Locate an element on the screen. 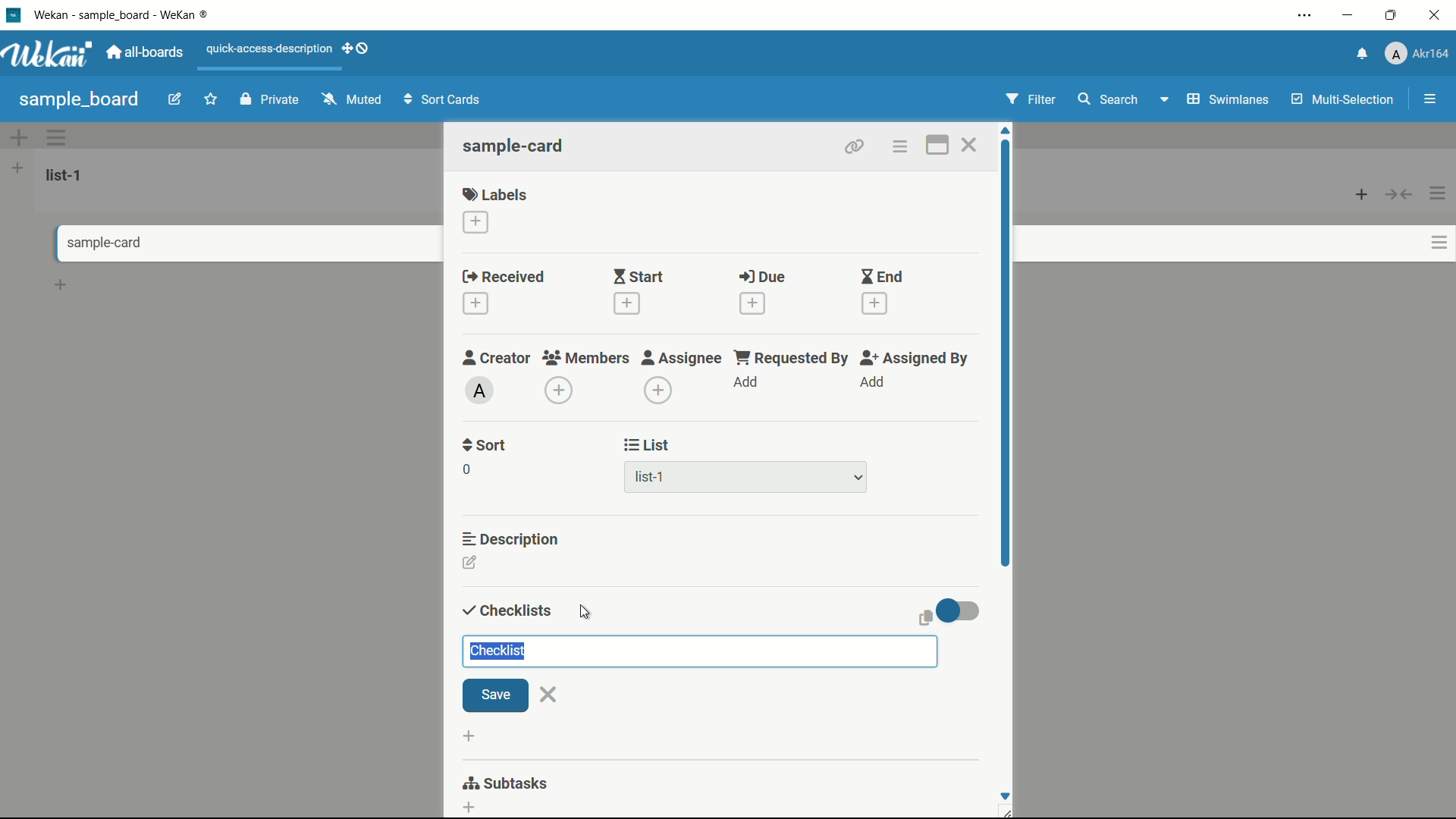  sort cards is located at coordinates (444, 101).